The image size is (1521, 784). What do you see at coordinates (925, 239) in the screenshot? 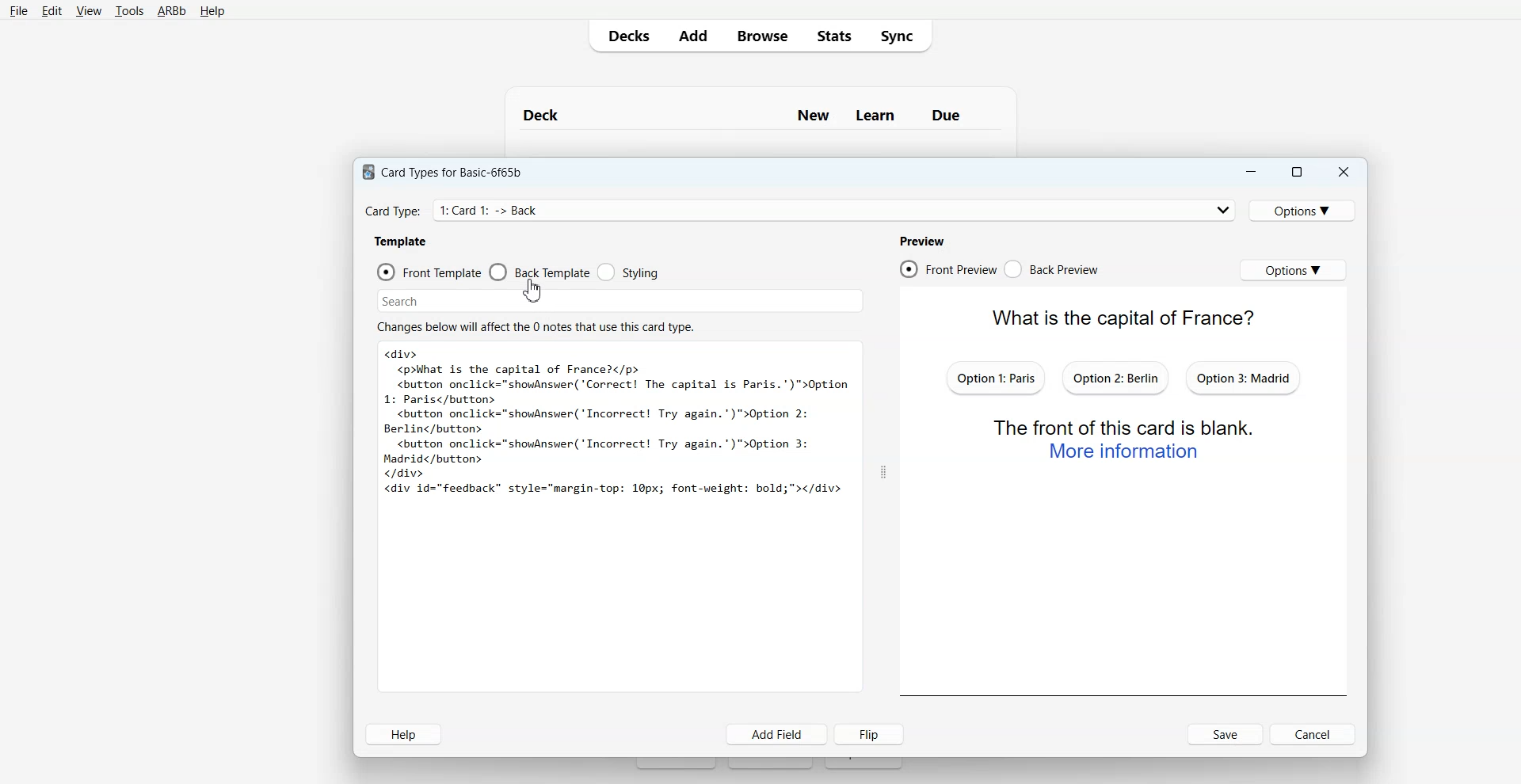
I see `Text 4` at bounding box center [925, 239].